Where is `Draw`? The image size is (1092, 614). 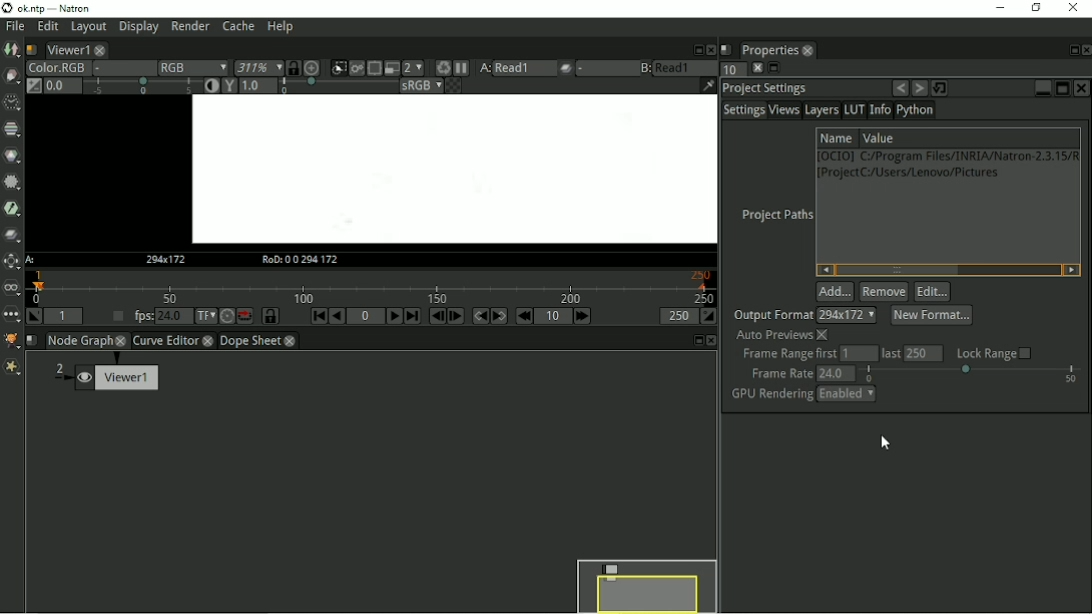
Draw is located at coordinates (12, 76).